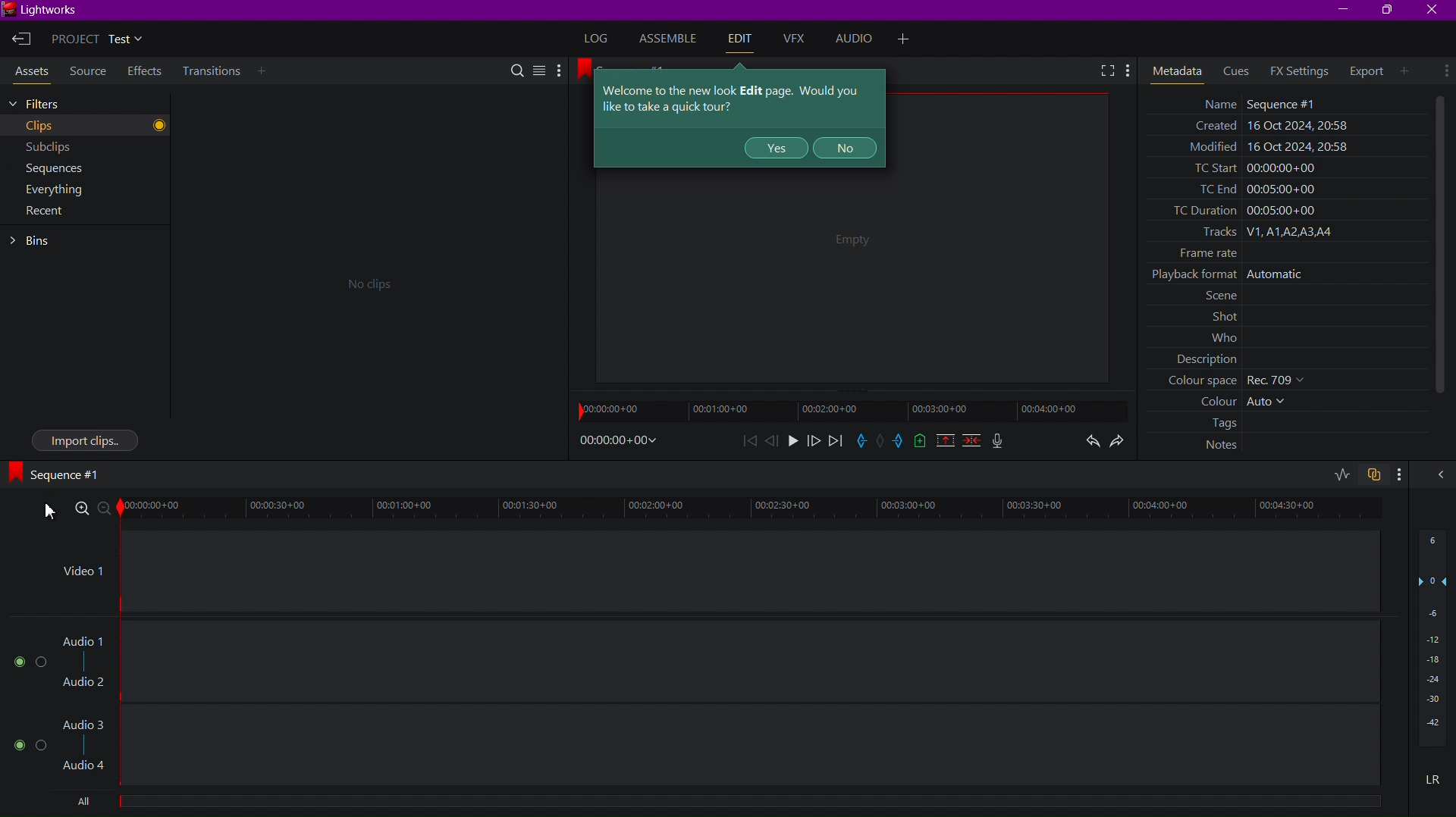 This screenshot has width=1456, height=817. Describe the element at coordinates (1435, 11) in the screenshot. I see `Close` at that location.